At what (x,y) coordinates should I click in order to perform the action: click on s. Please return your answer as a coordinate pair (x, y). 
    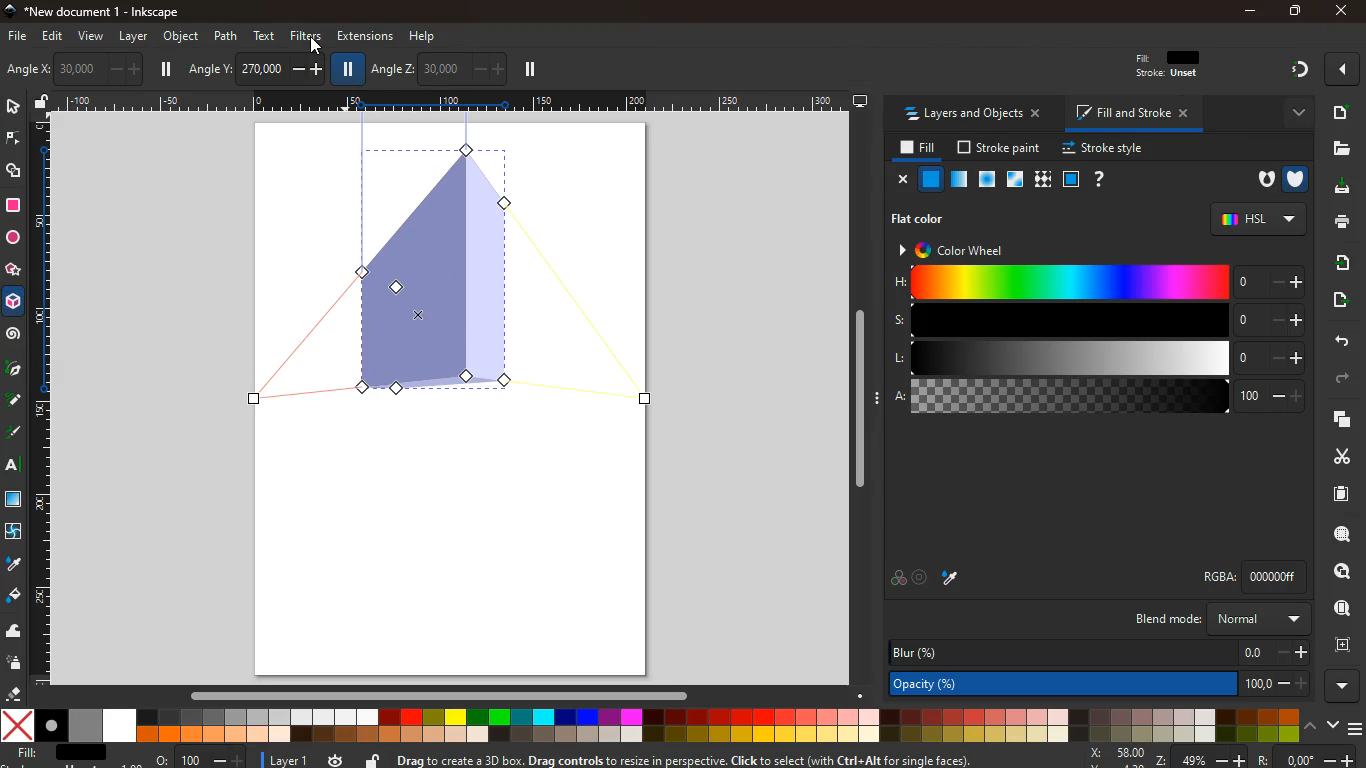
    Looking at the image, I should click on (1097, 321).